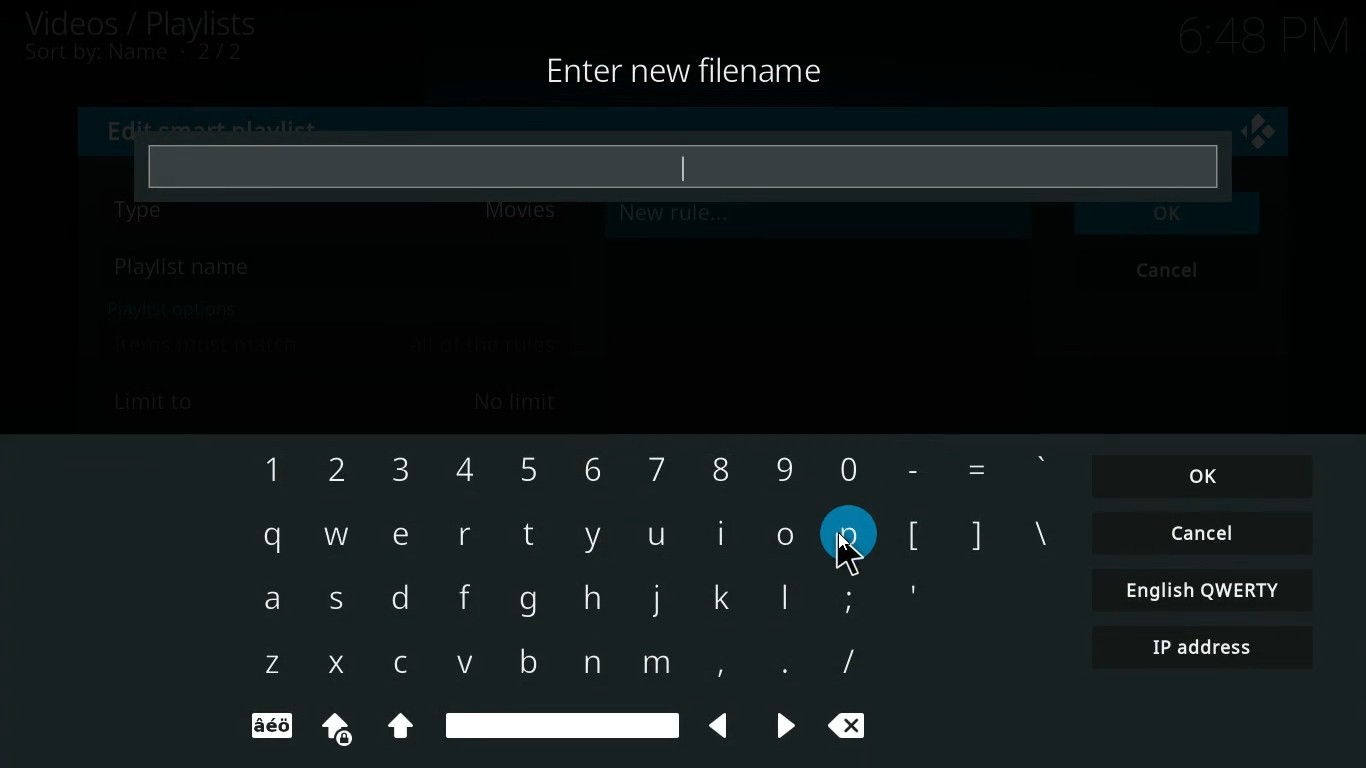 This screenshot has height=768, width=1366. Describe the element at coordinates (854, 728) in the screenshot. I see `backspace` at that location.